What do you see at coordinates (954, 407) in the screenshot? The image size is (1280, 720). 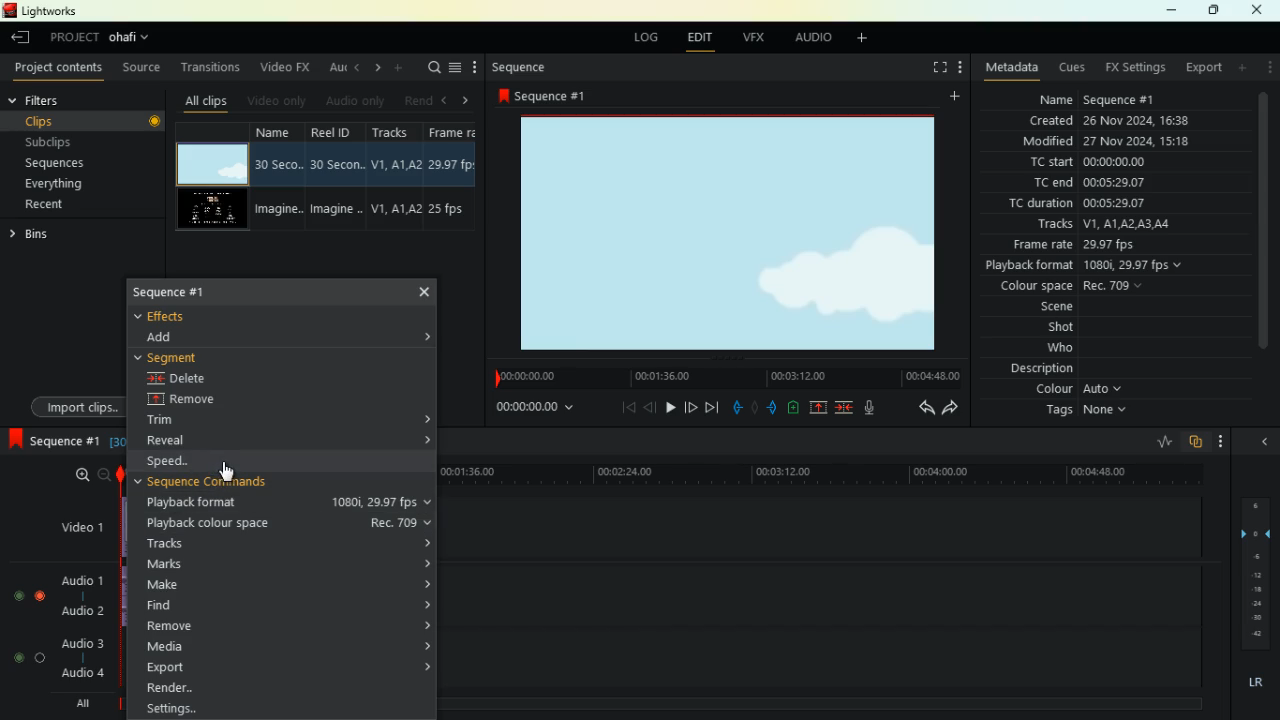 I see `forward` at bounding box center [954, 407].